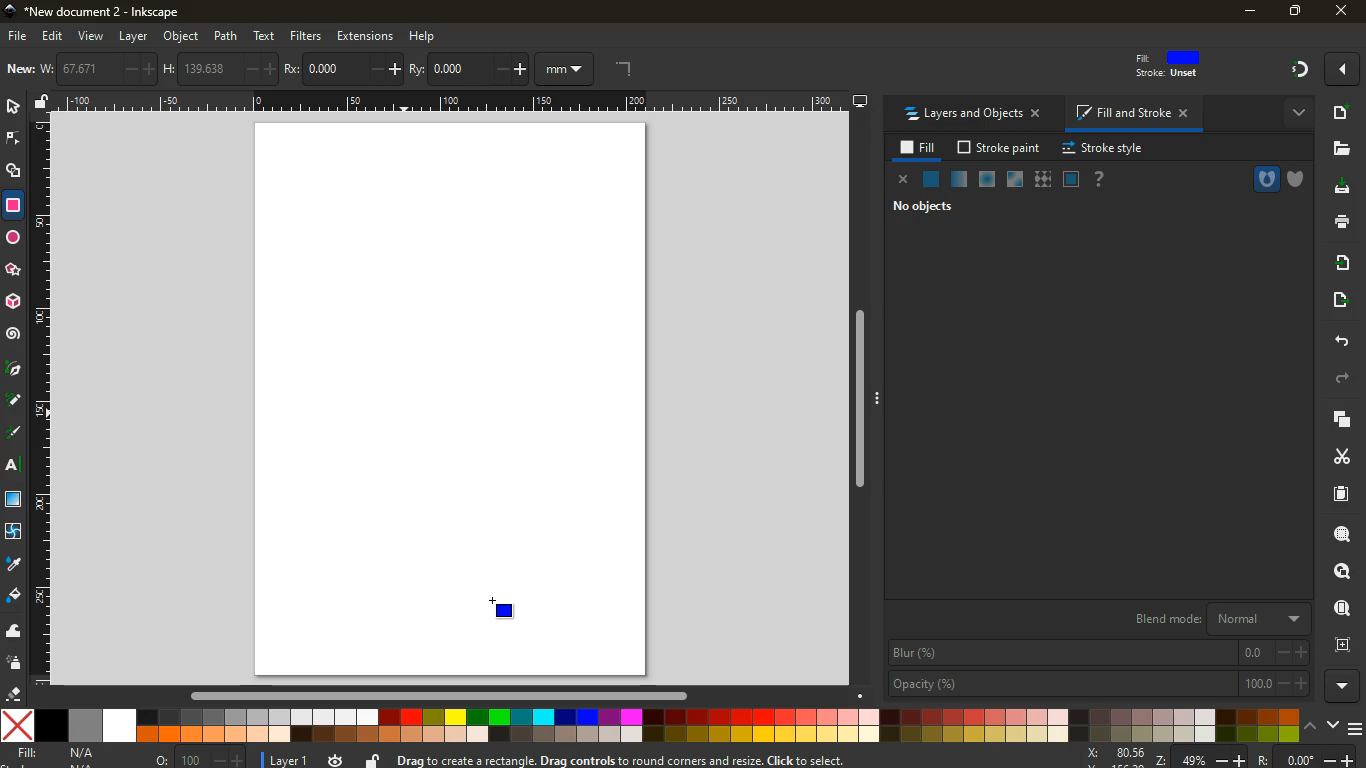 Image resolution: width=1366 pixels, height=768 pixels. Describe the element at coordinates (15, 173) in the screenshot. I see `shapes` at that location.